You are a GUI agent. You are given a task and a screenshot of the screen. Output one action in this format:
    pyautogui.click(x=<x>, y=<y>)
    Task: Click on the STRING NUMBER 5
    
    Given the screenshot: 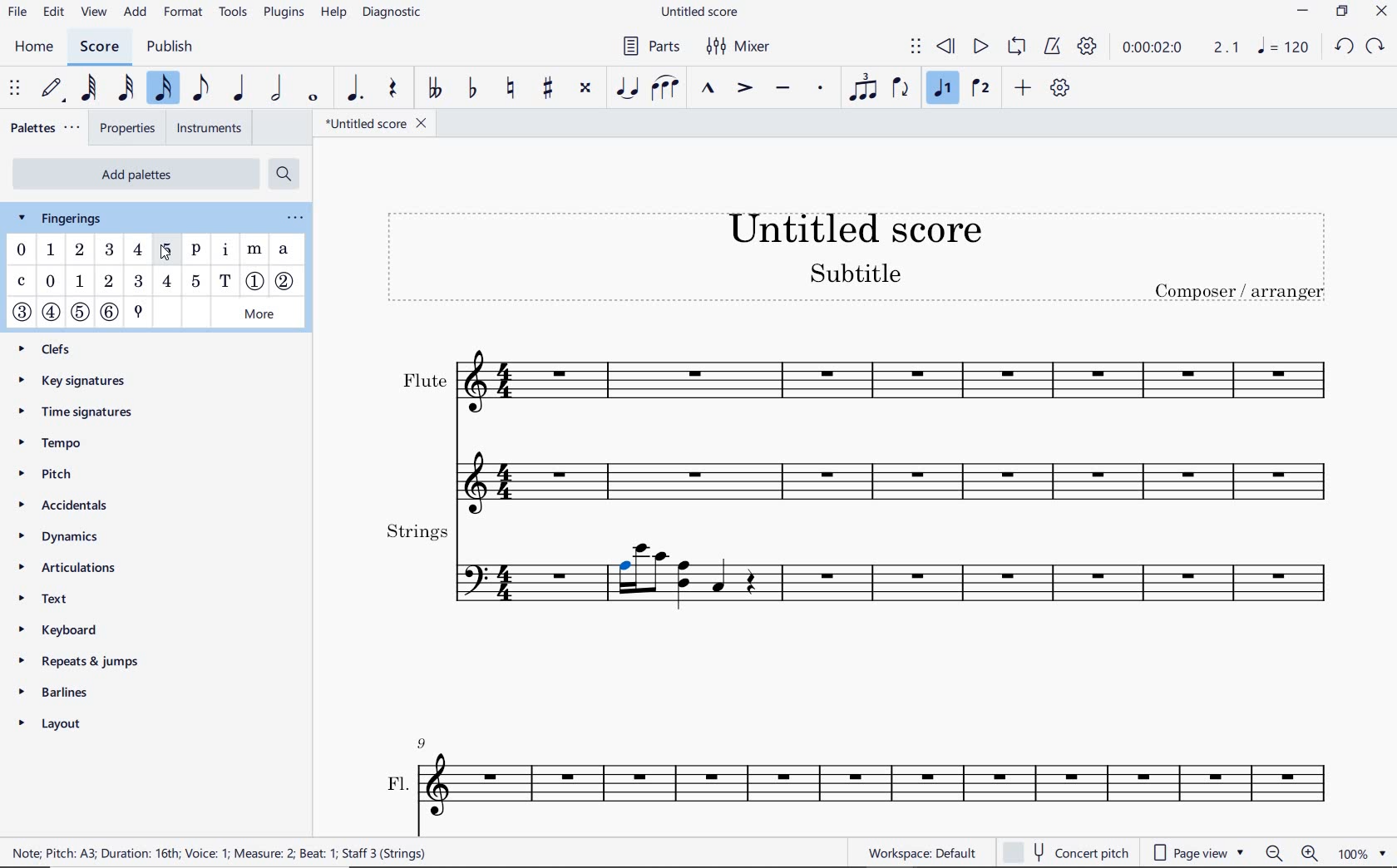 What is the action you would take?
    pyautogui.click(x=80, y=311)
    